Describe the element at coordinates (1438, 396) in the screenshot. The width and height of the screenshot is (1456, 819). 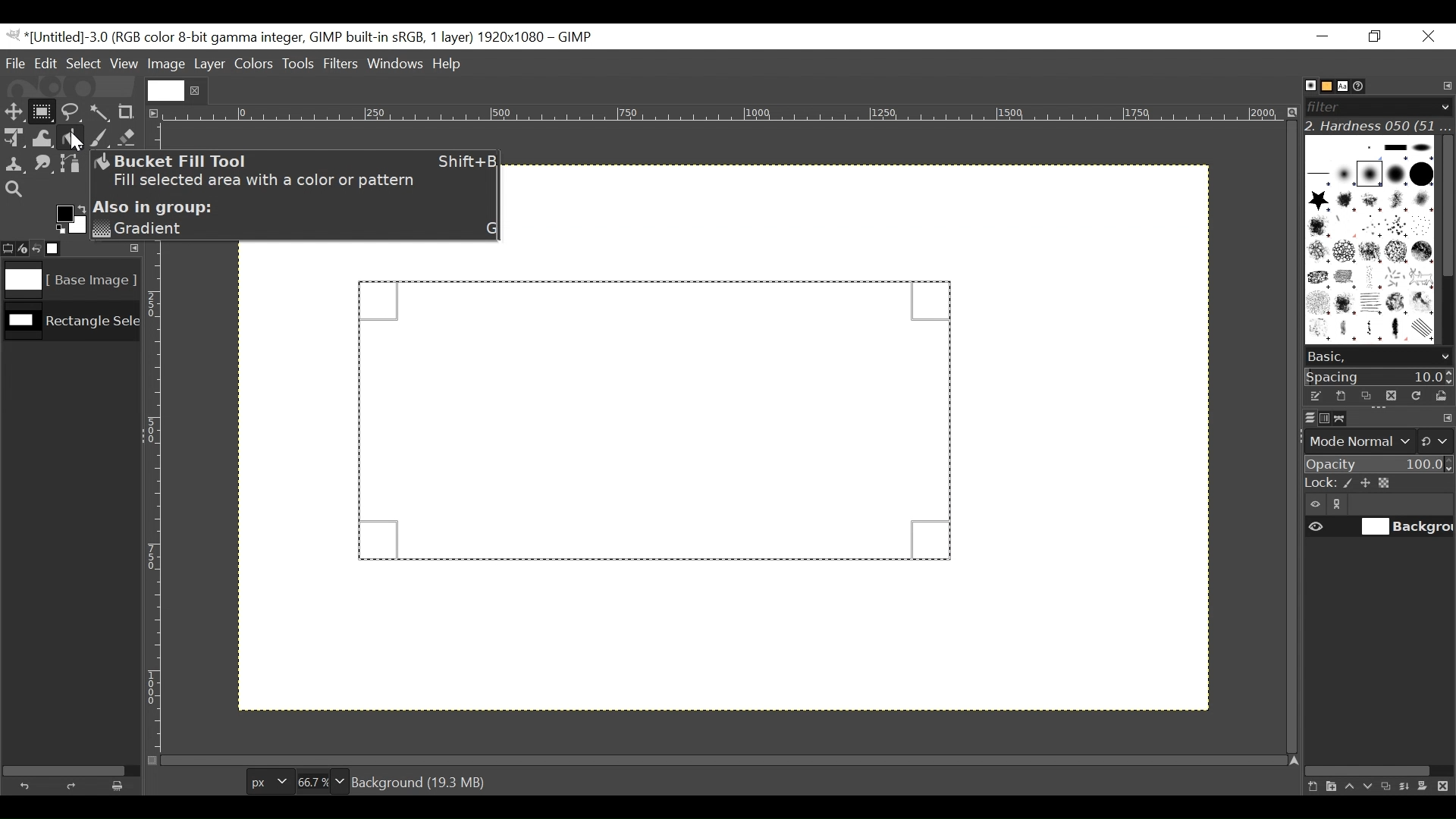
I see `Open` at that location.